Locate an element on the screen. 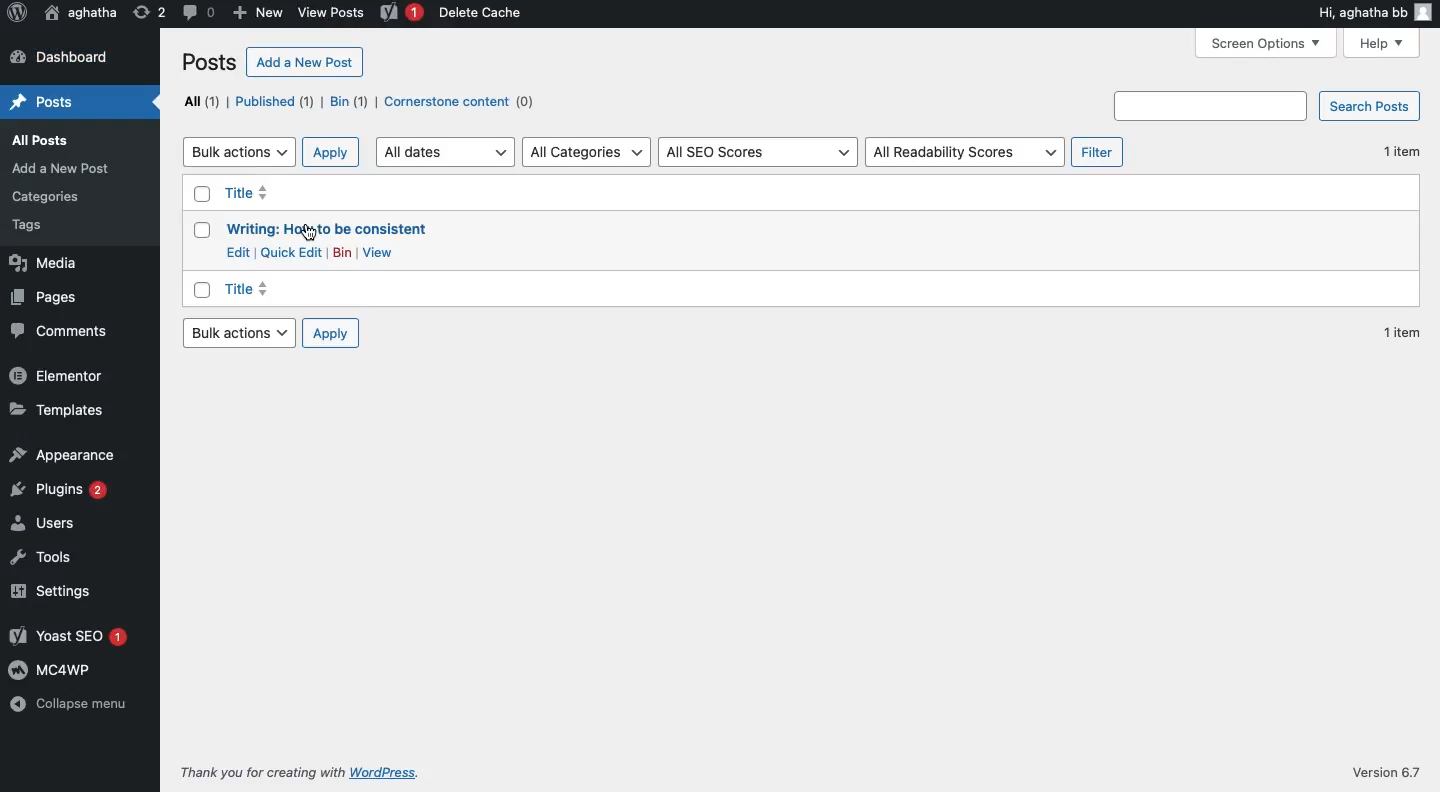 The width and height of the screenshot is (1440, 792). Cornerstone content (0) is located at coordinates (471, 101).